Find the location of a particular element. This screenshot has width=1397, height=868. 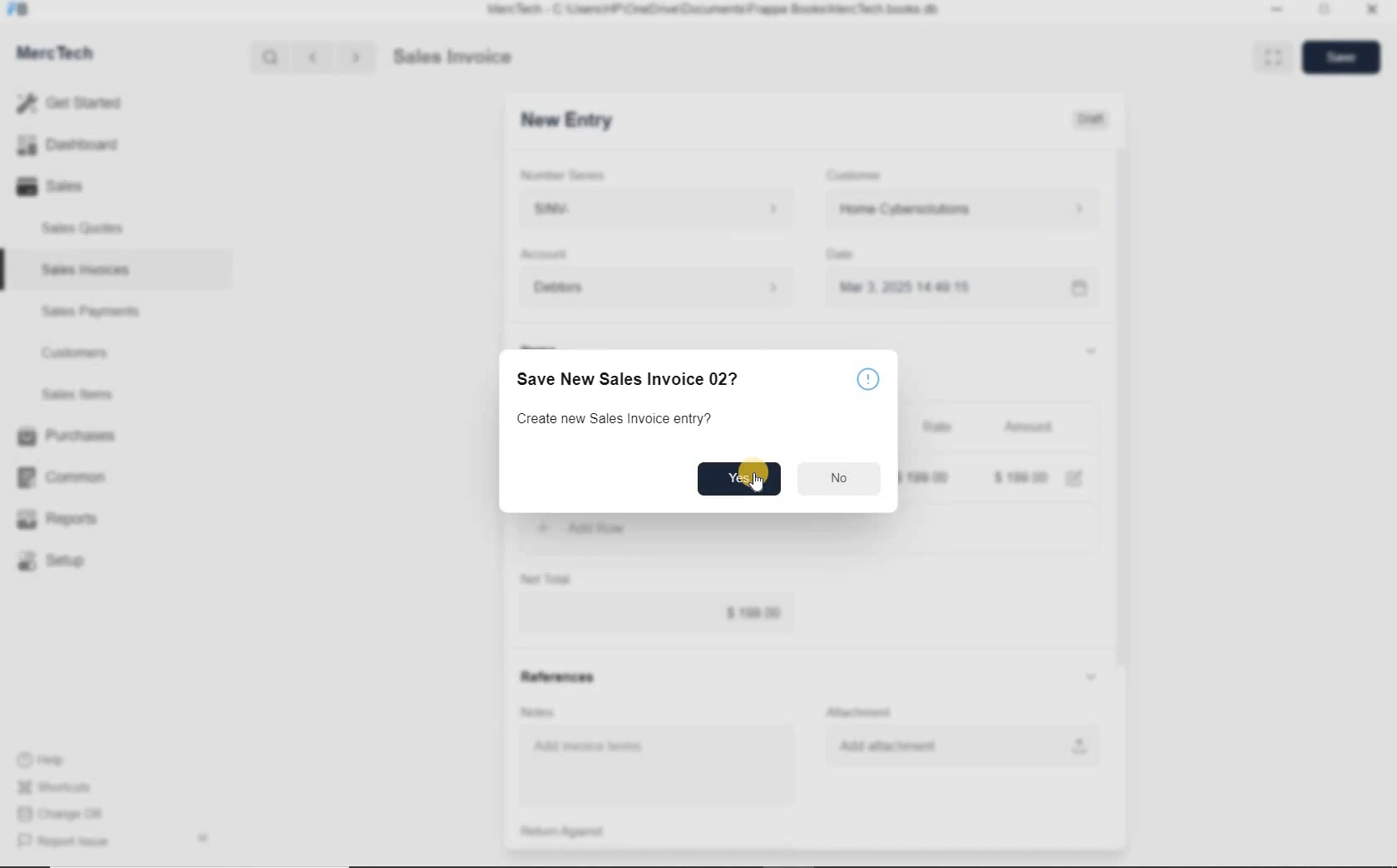

Go forward is located at coordinates (355, 57).